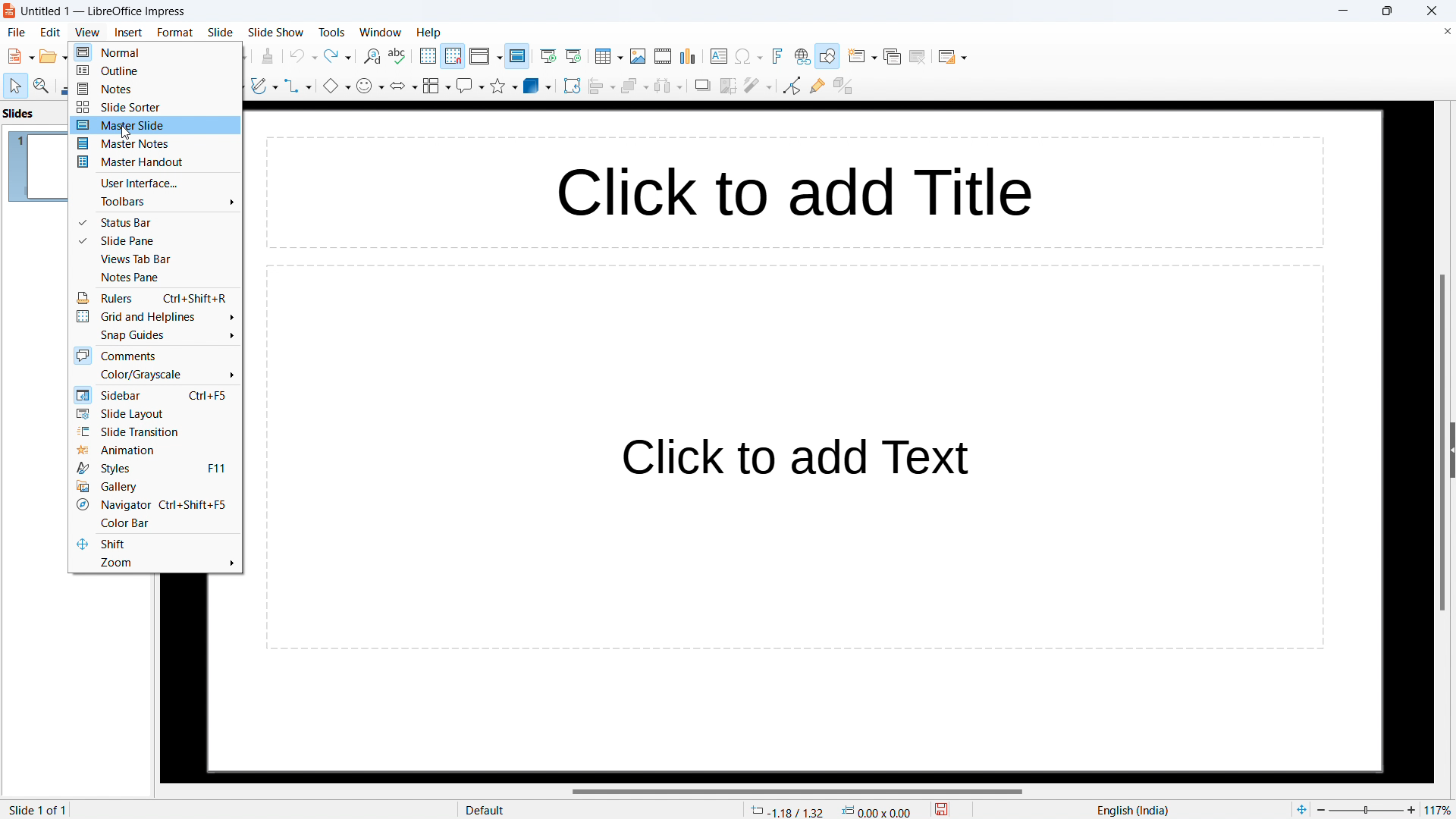 The height and width of the screenshot is (819, 1456). What do you see at coordinates (1451, 450) in the screenshot?
I see `expand` at bounding box center [1451, 450].